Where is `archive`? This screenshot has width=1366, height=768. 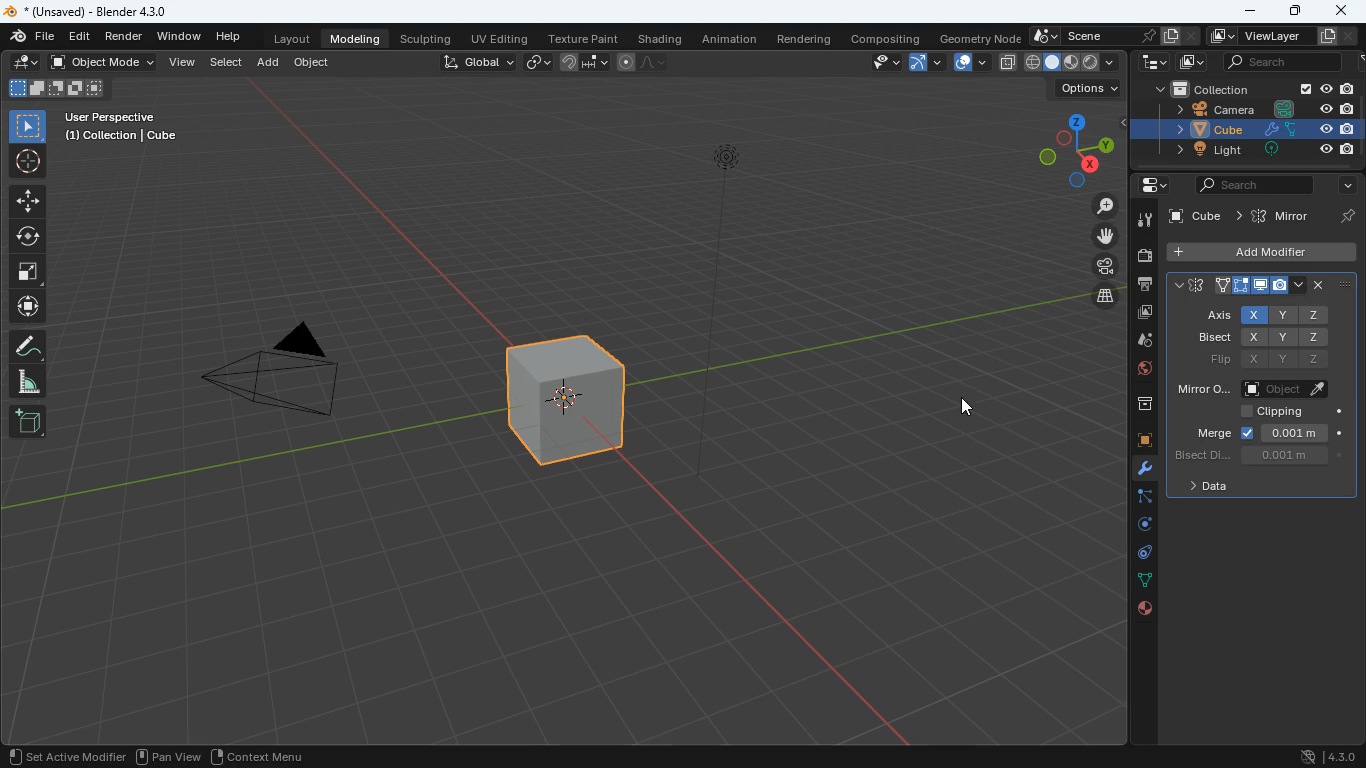 archive is located at coordinates (1135, 405).